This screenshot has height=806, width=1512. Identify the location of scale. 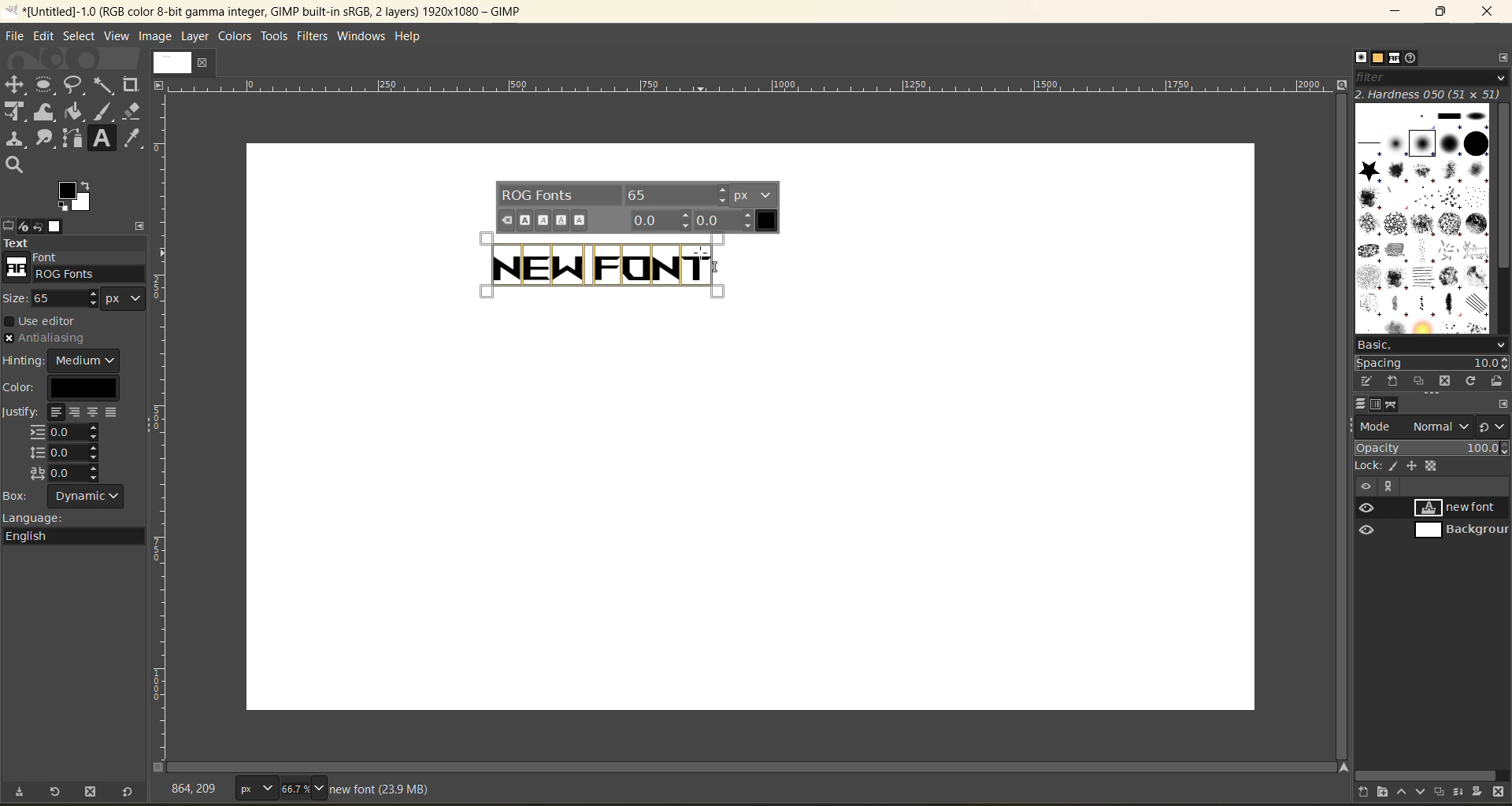
(163, 380).